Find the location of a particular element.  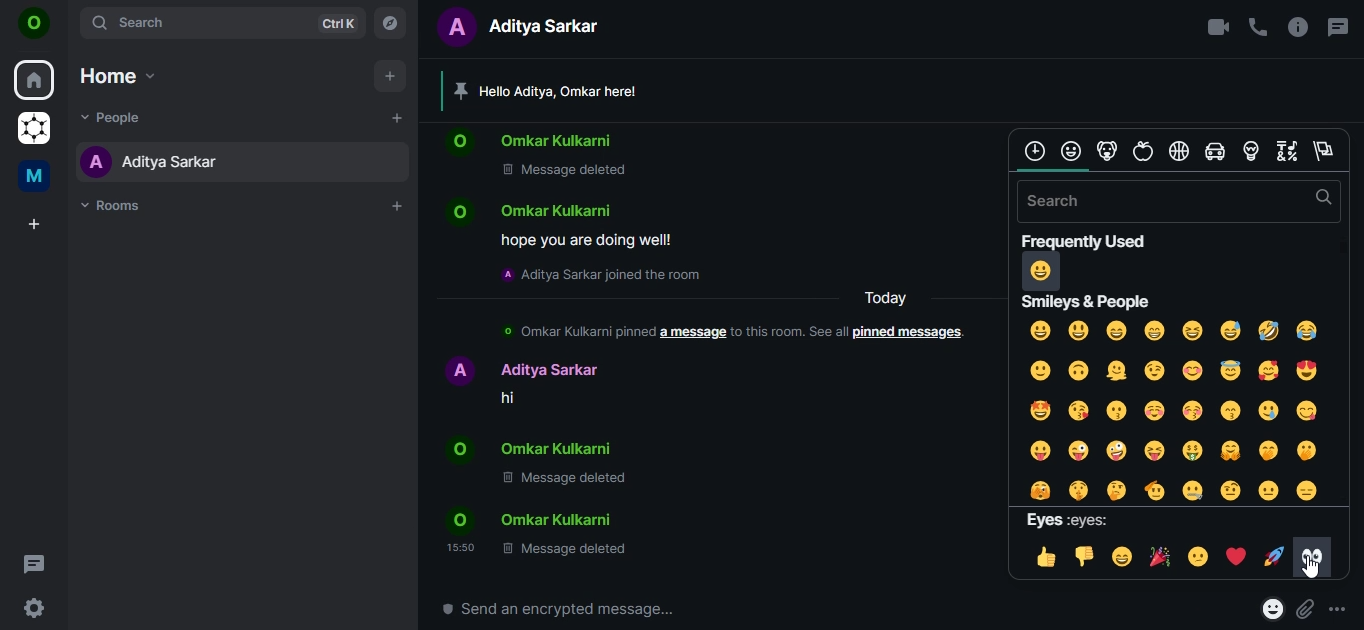

text is located at coordinates (1077, 520).